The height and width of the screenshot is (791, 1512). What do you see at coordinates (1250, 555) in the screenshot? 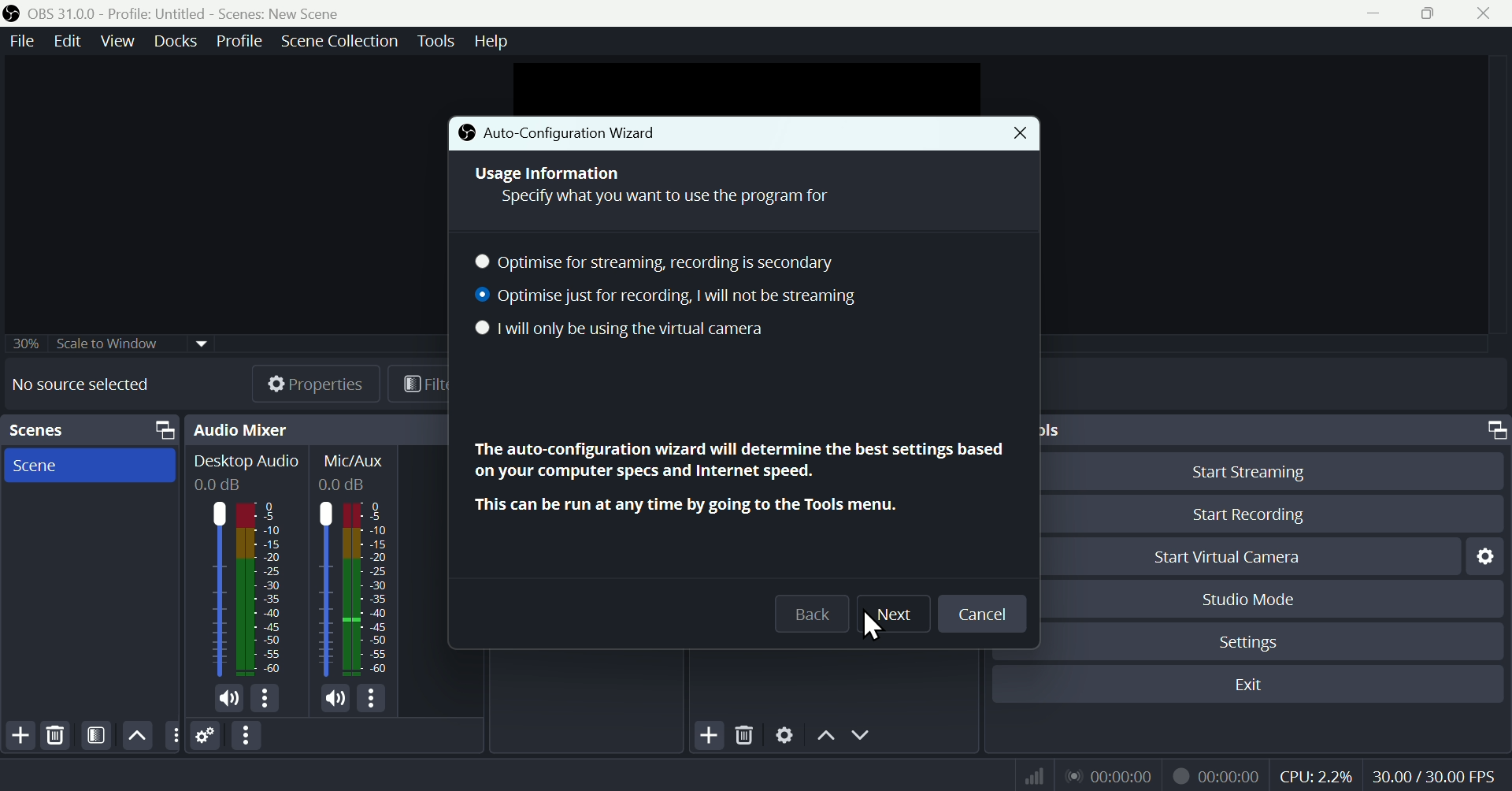
I see `Start Virtual Camera` at bounding box center [1250, 555].